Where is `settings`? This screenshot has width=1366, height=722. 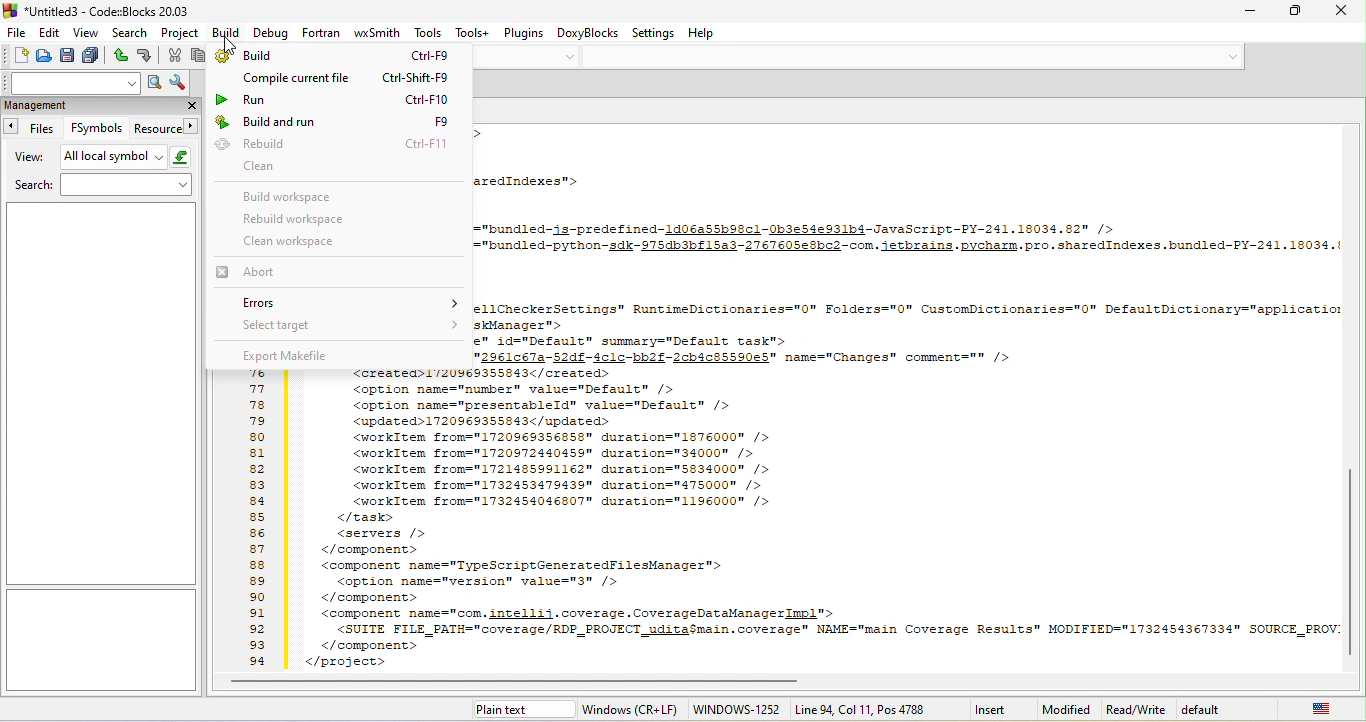
settings is located at coordinates (654, 33).